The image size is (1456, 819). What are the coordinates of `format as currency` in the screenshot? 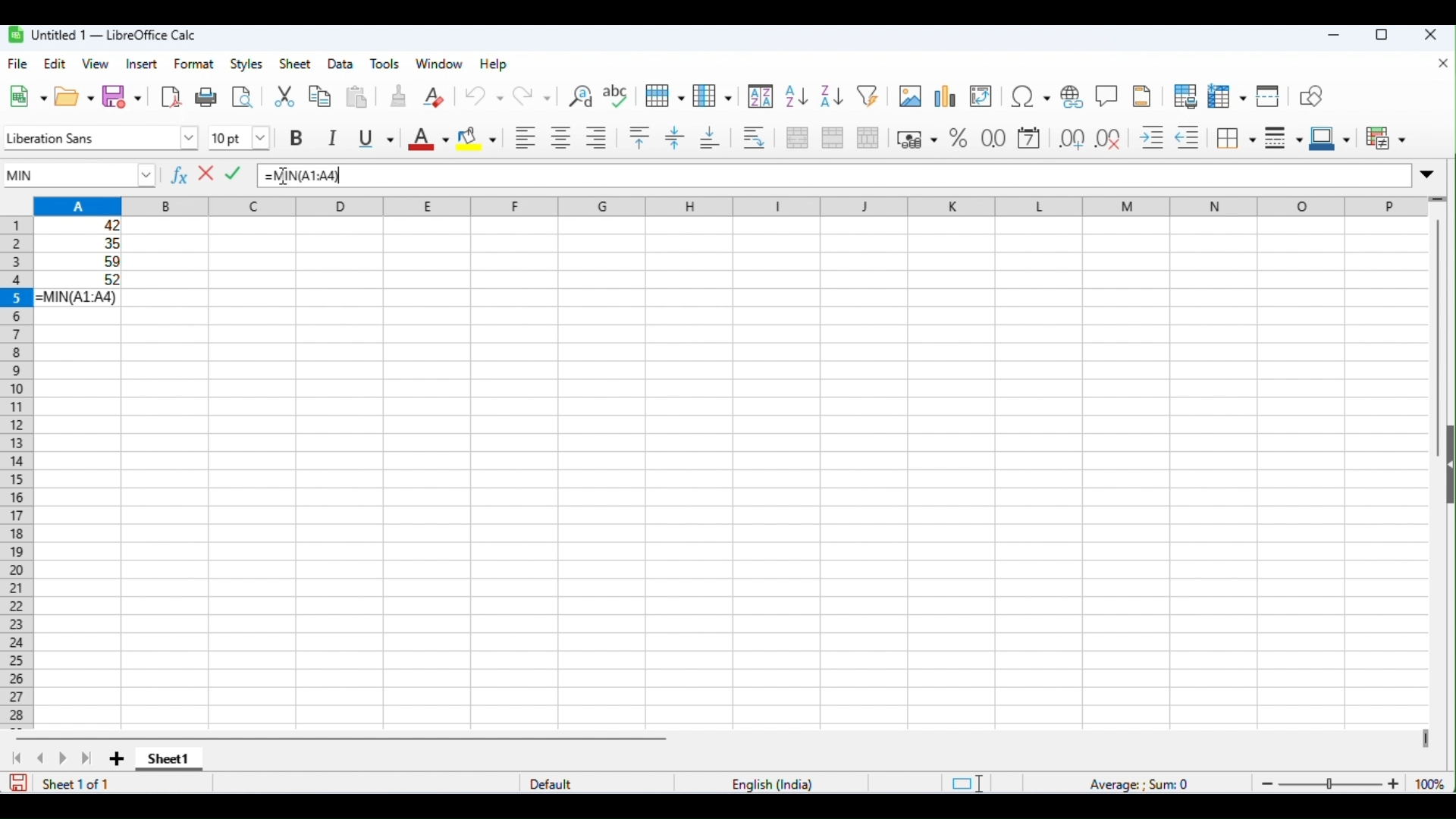 It's located at (918, 137).